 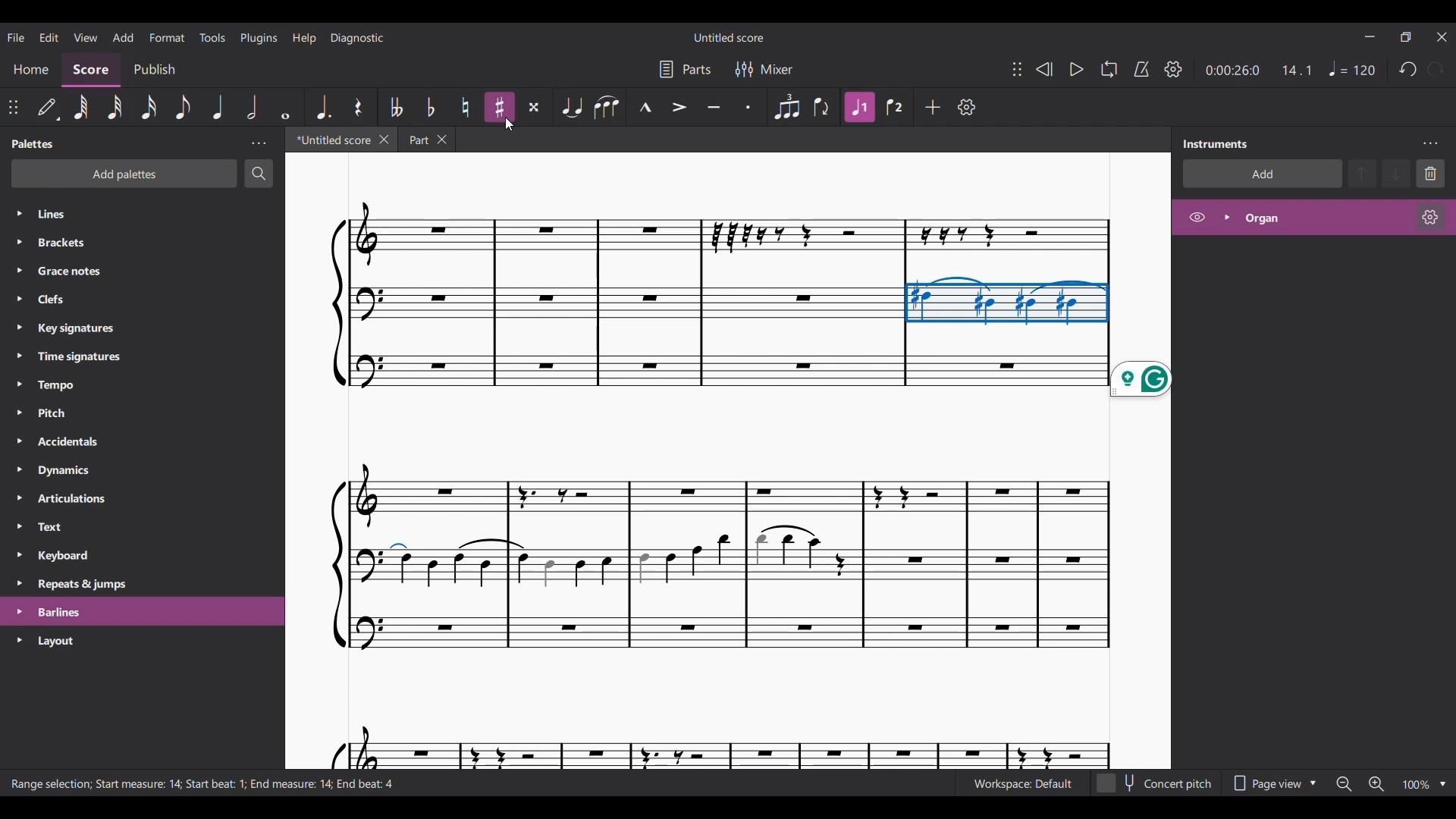 What do you see at coordinates (212, 36) in the screenshot?
I see `Tools menu` at bounding box center [212, 36].